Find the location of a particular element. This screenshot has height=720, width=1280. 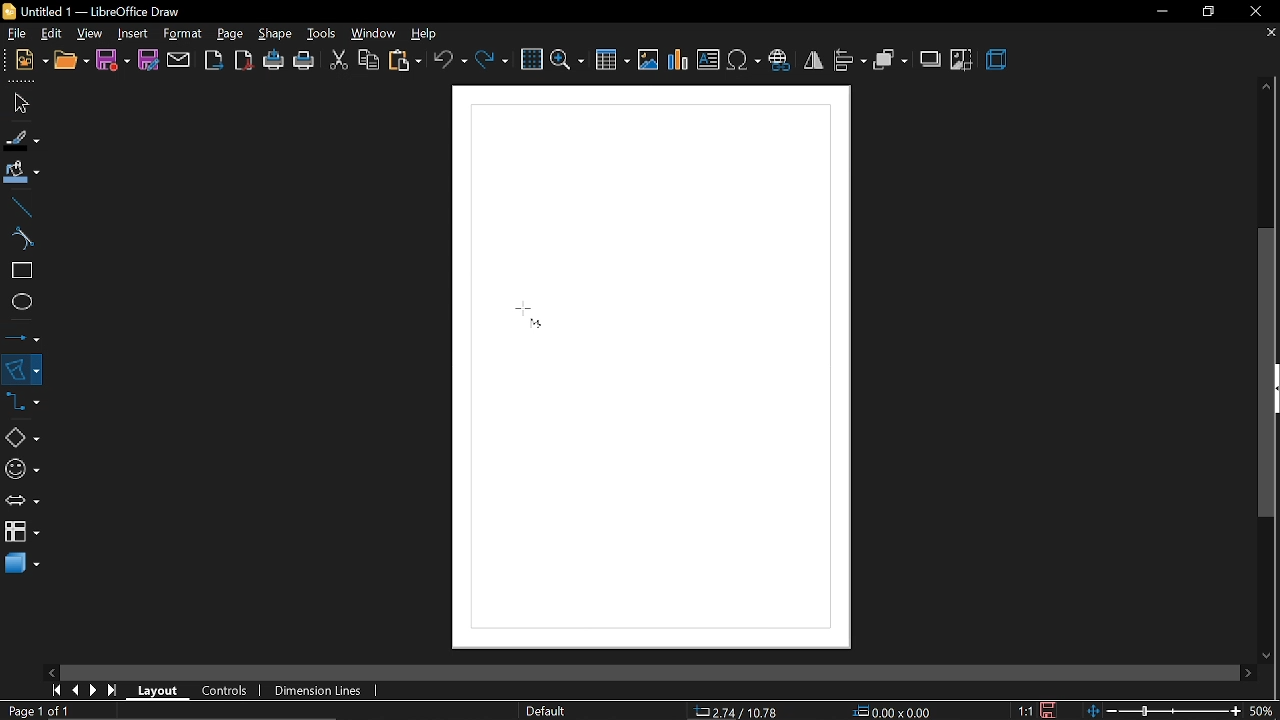

line is located at coordinates (19, 207).